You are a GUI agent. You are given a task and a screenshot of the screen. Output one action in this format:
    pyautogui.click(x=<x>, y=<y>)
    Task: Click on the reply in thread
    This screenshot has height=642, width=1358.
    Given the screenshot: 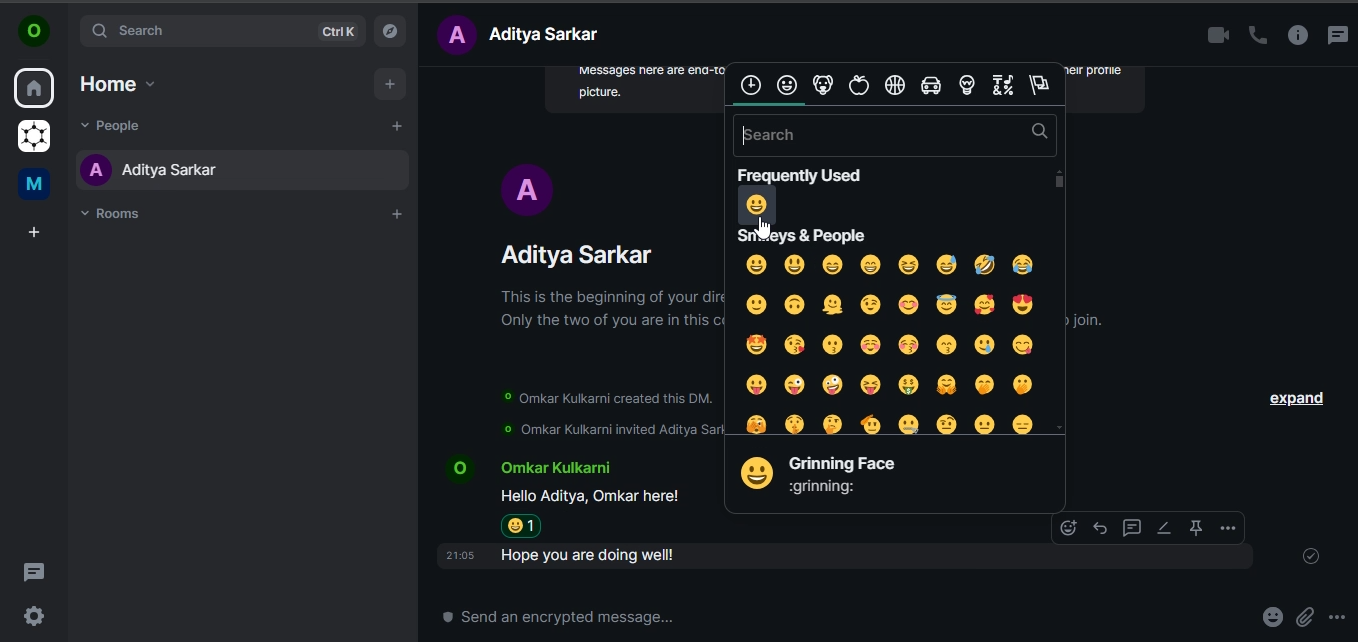 What is the action you would take?
    pyautogui.click(x=1130, y=526)
    